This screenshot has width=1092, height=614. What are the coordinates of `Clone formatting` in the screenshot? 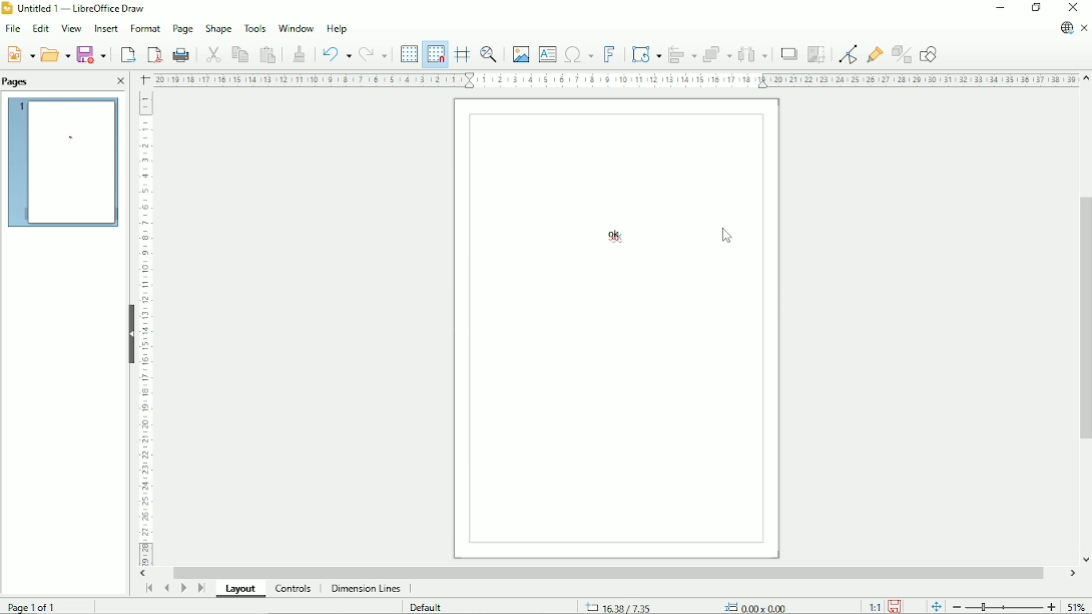 It's located at (299, 53).